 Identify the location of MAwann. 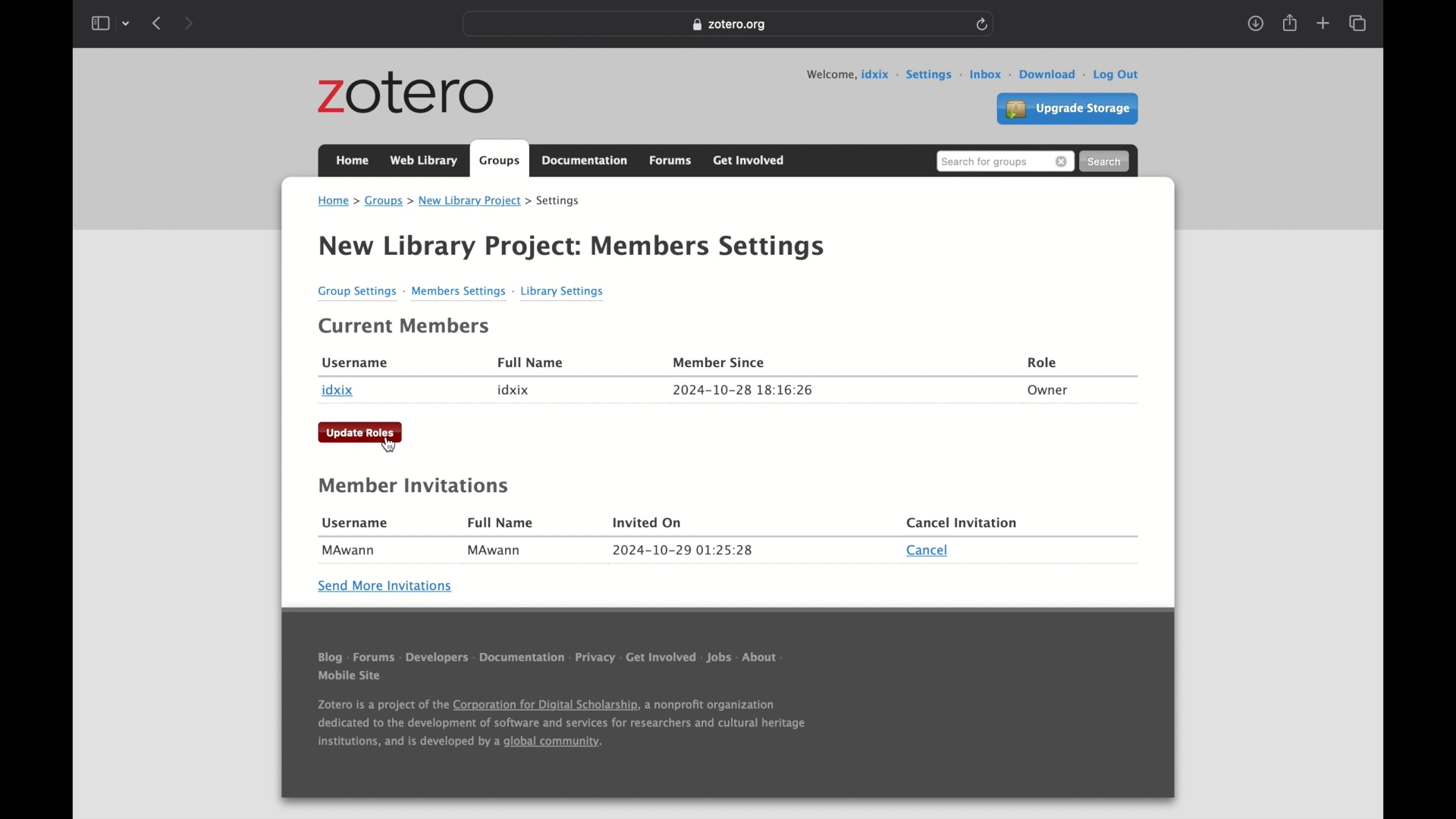
(350, 551).